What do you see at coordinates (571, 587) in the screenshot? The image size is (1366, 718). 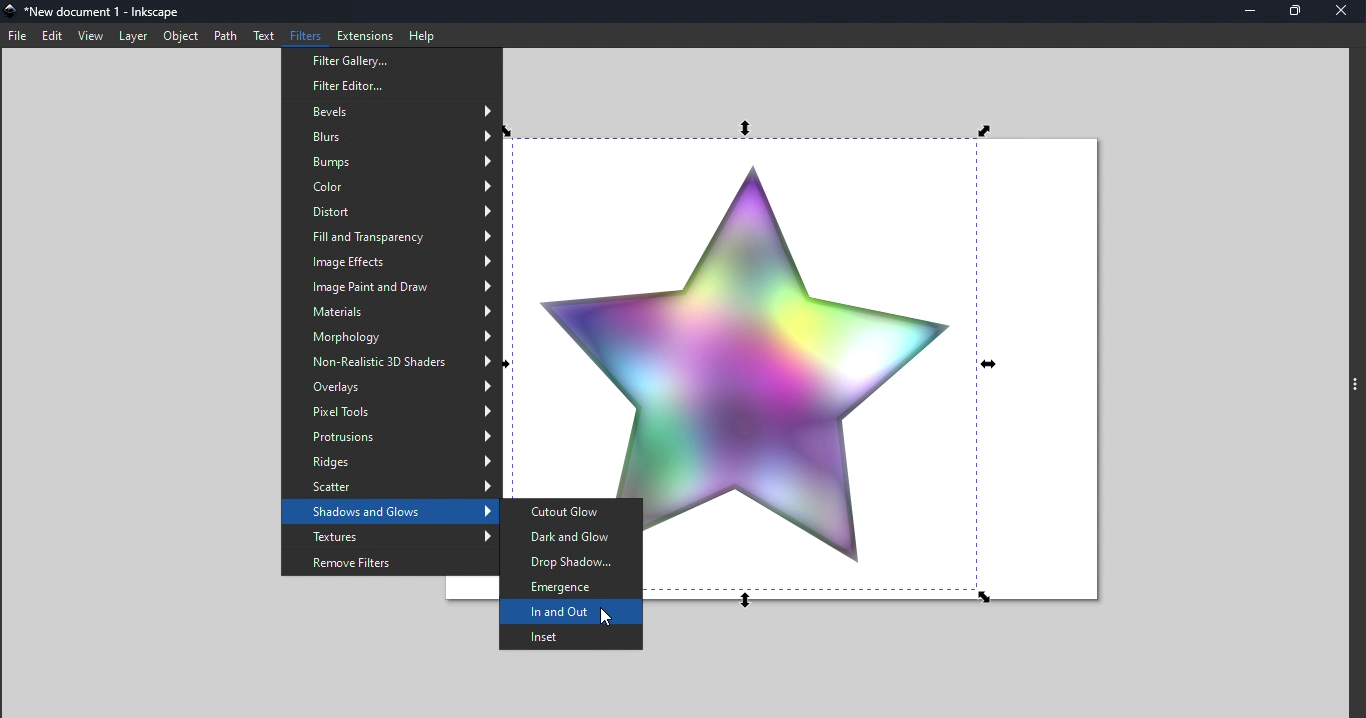 I see `Emergence` at bounding box center [571, 587].